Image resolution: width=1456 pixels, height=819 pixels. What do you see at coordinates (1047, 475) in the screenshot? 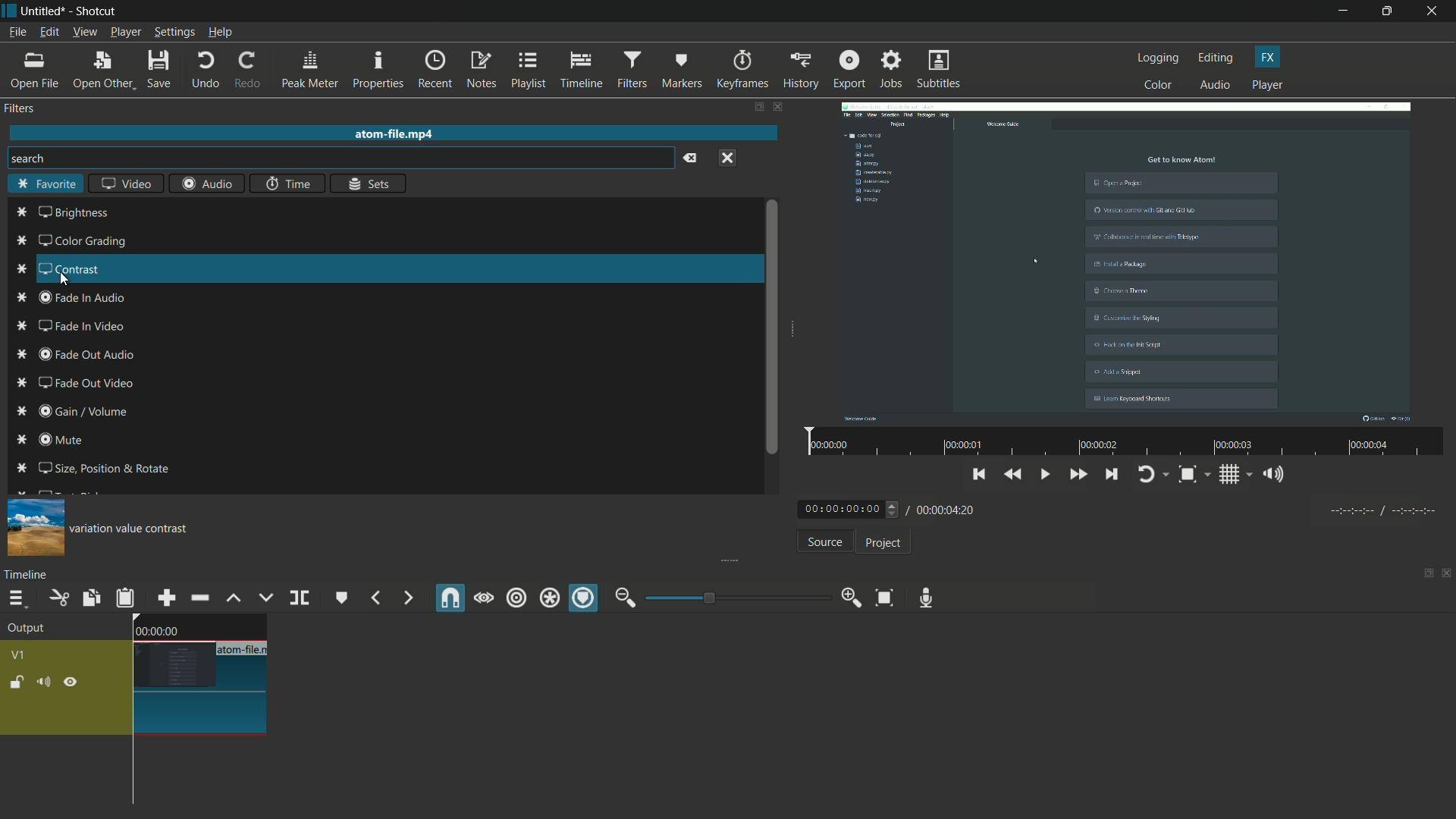
I see `toggle play/pause` at bounding box center [1047, 475].